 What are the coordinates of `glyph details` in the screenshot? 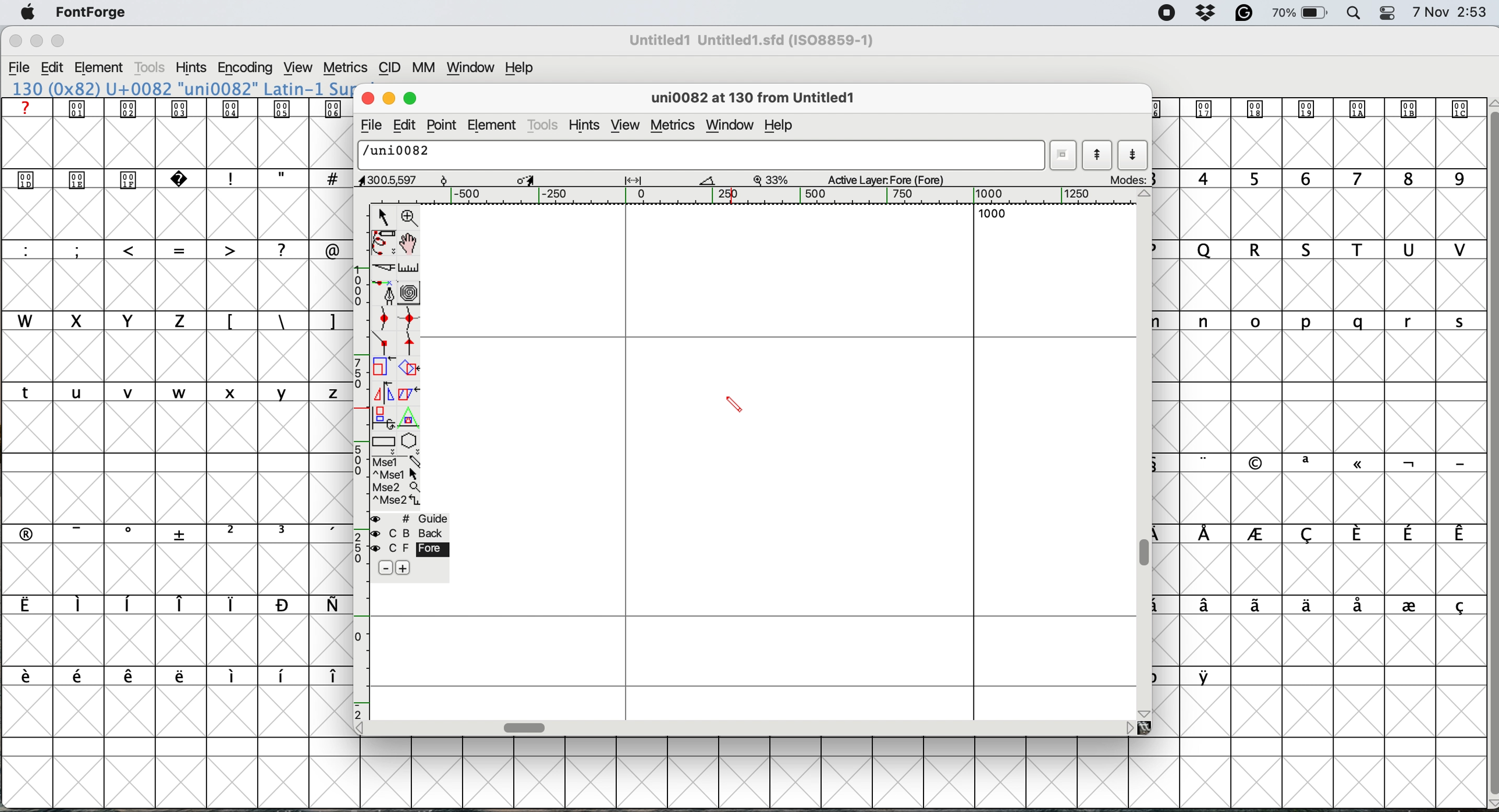 It's located at (759, 99).